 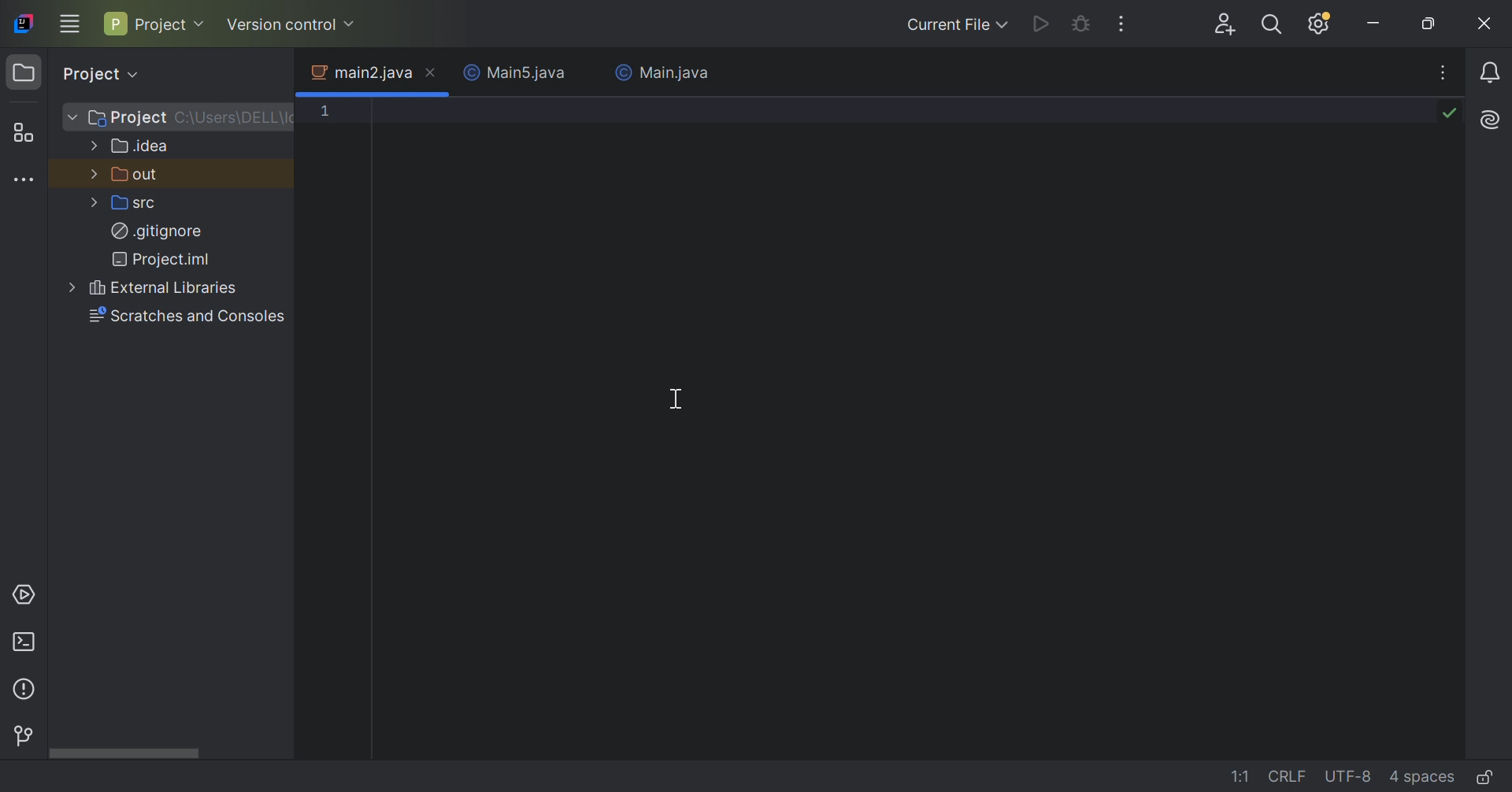 I want to click on Recent files, tab actions and more, so click(x=1446, y=74).